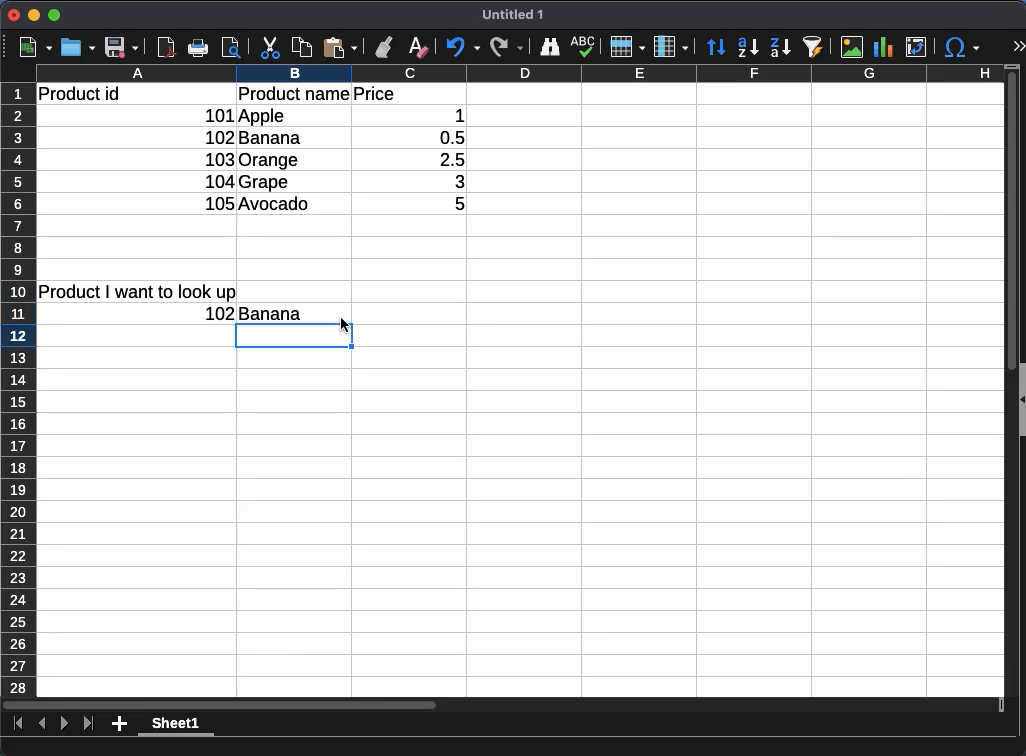 The image size is (1026, 756). Describe the element at coordinates (263, 116) in the screenshot. I see `apple` at that location.